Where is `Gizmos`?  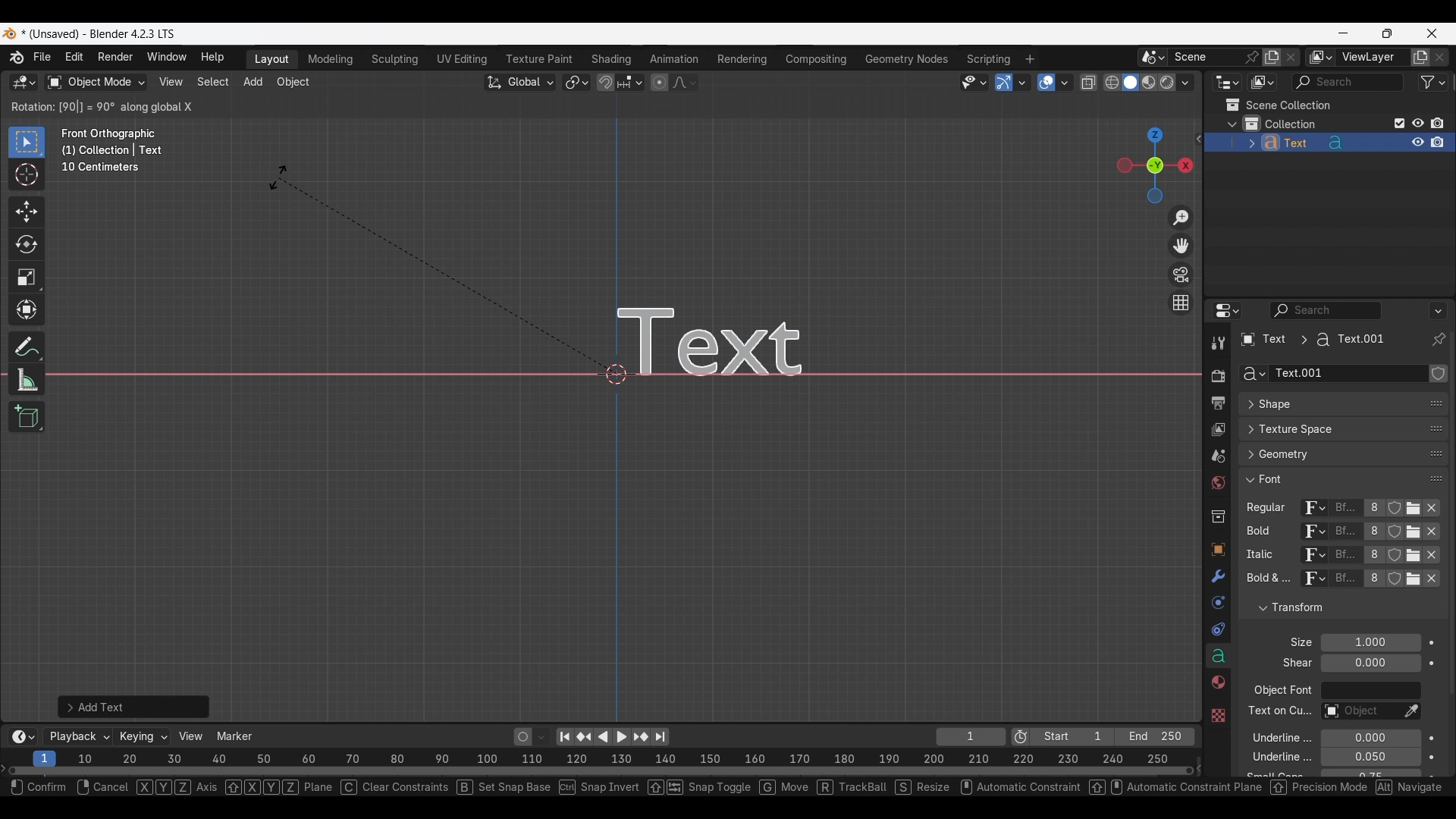
Gizmos is located at coordinates (1022, 82).